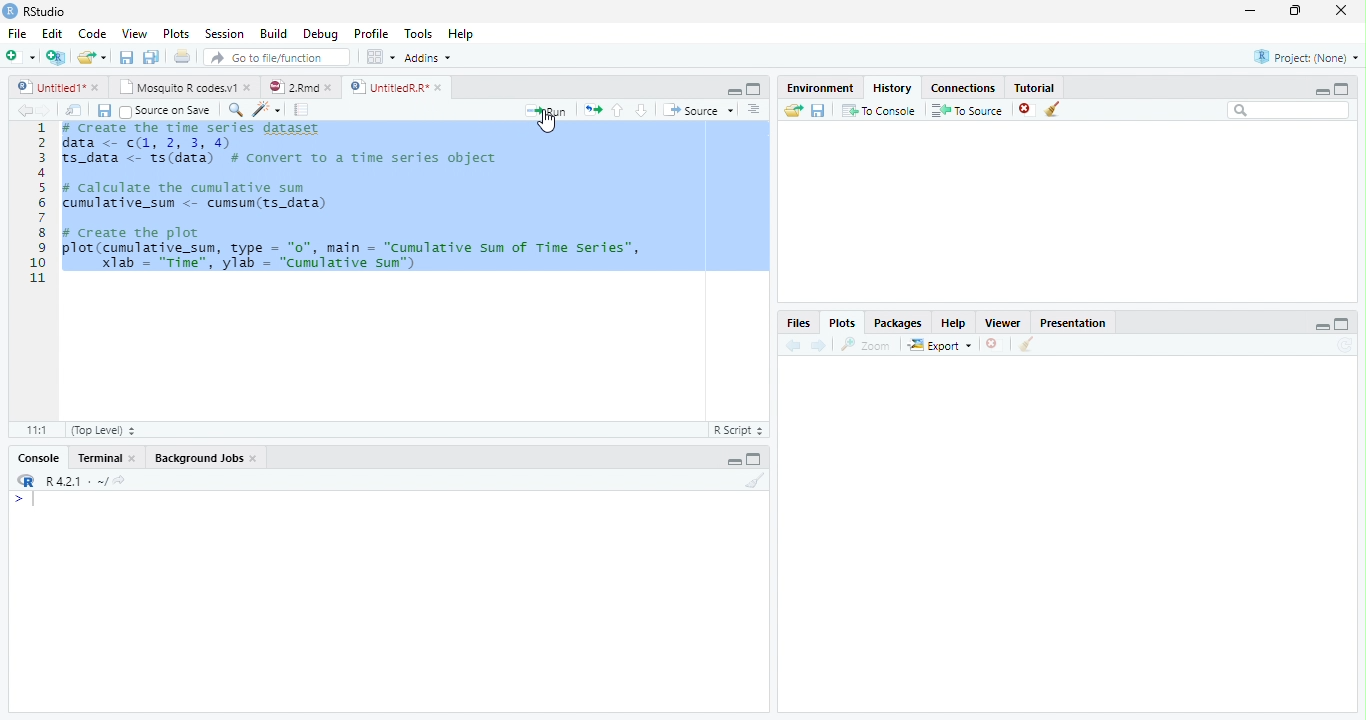 This screenshot has height=720, width=1366. Describe the element at coordinates (617, 111) in the screenshot. I see `Go to the previous section` at that location.